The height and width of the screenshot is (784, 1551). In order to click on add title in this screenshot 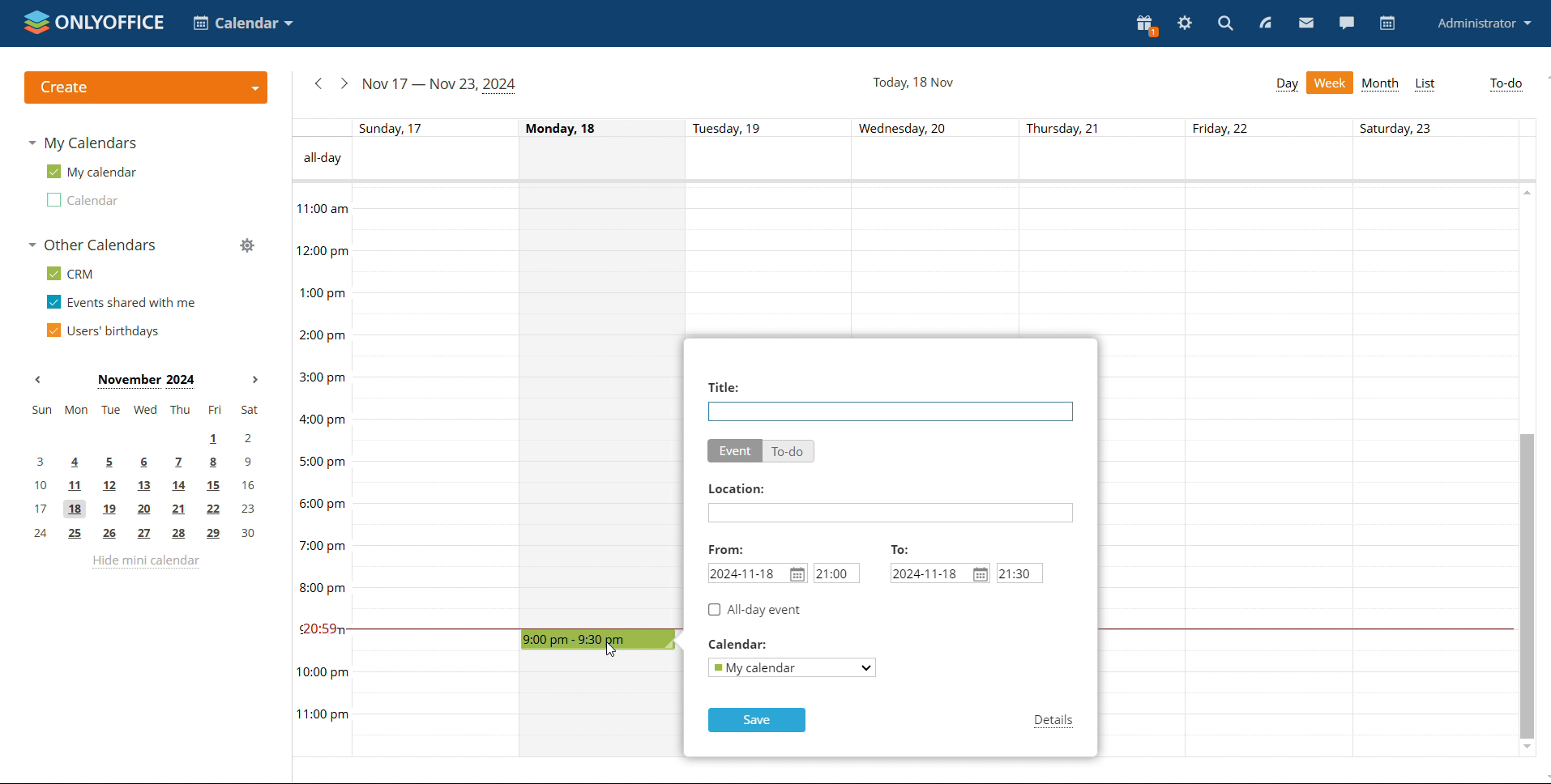, I will do `click(891, 411)`.